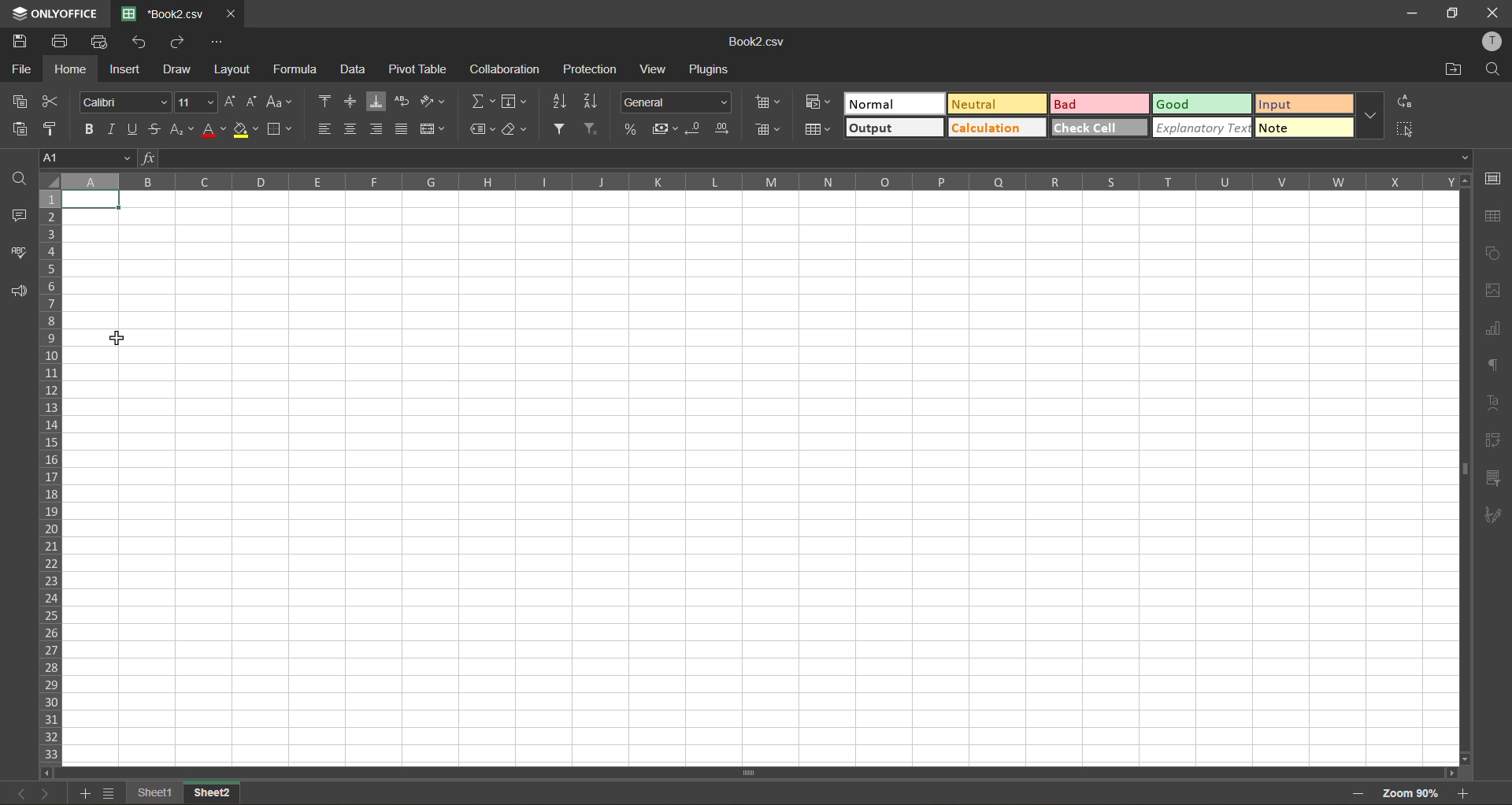 The height and width of the screenshot is (805, 1512). What do you see at coordinates (17, 792) in the screenshot?
I see `previous` at bounding box center [17, 792].